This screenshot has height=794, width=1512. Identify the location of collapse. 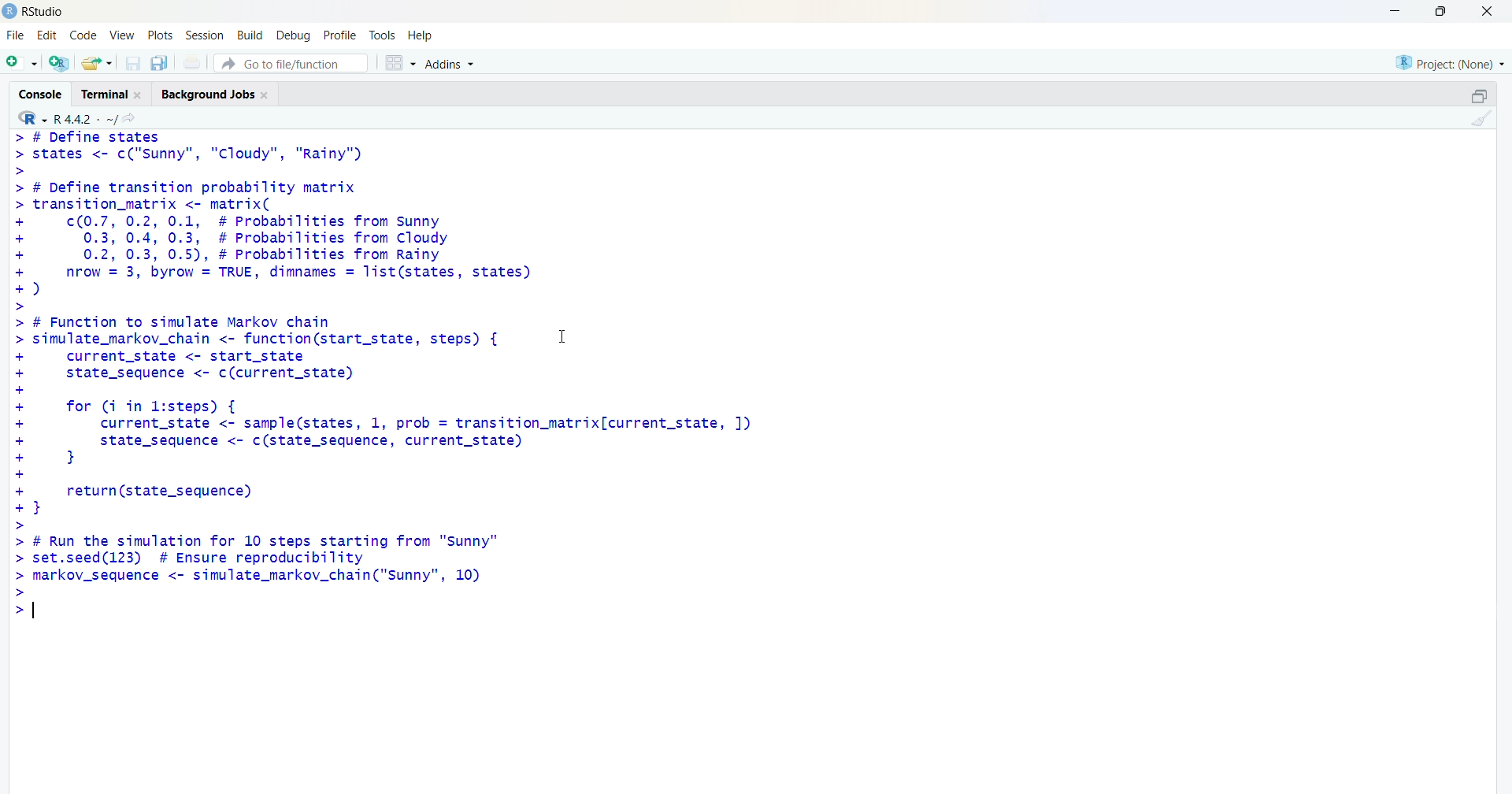
(1478, 96).